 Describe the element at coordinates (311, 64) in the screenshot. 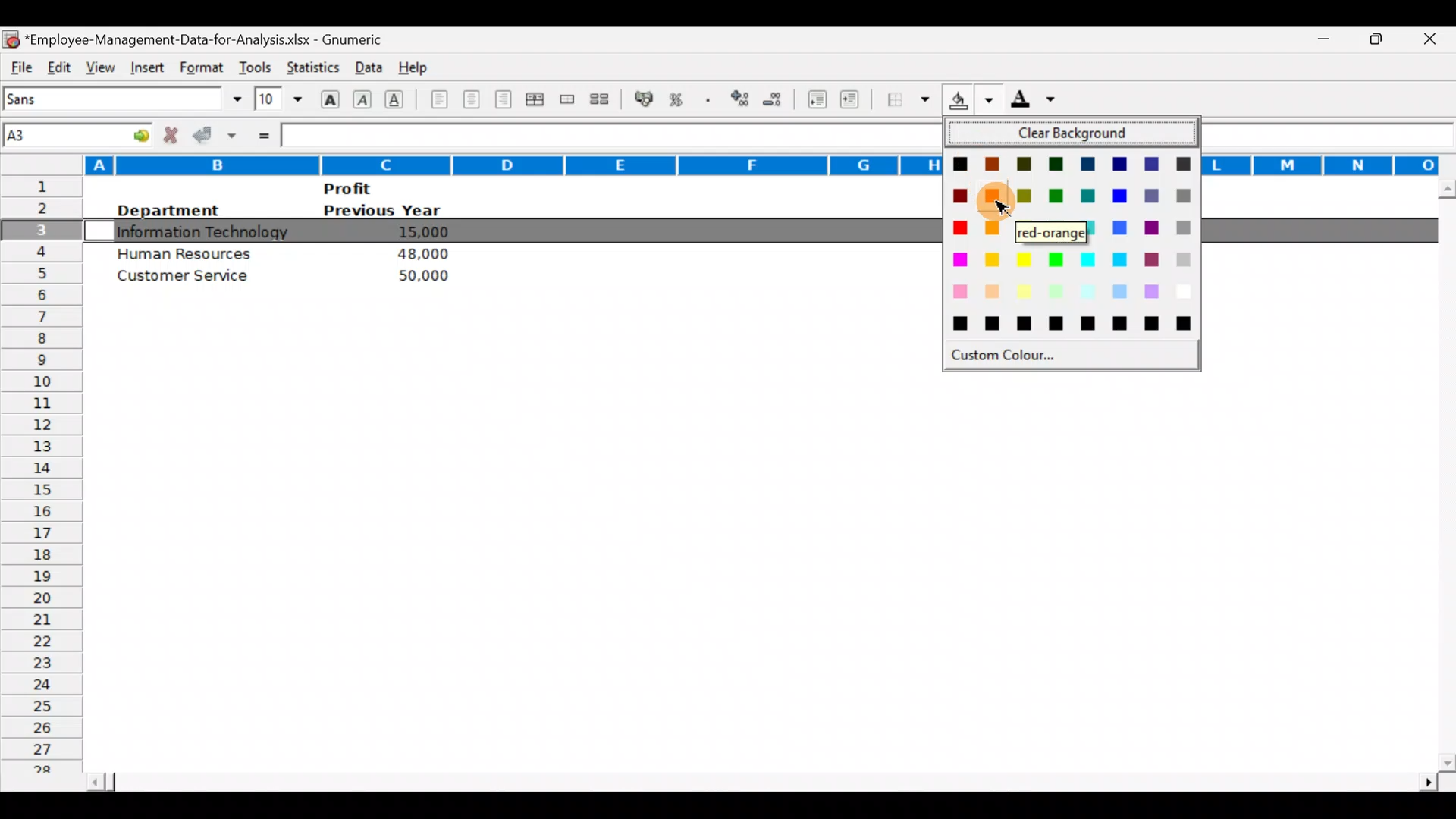

I see `Statistics` at that location.